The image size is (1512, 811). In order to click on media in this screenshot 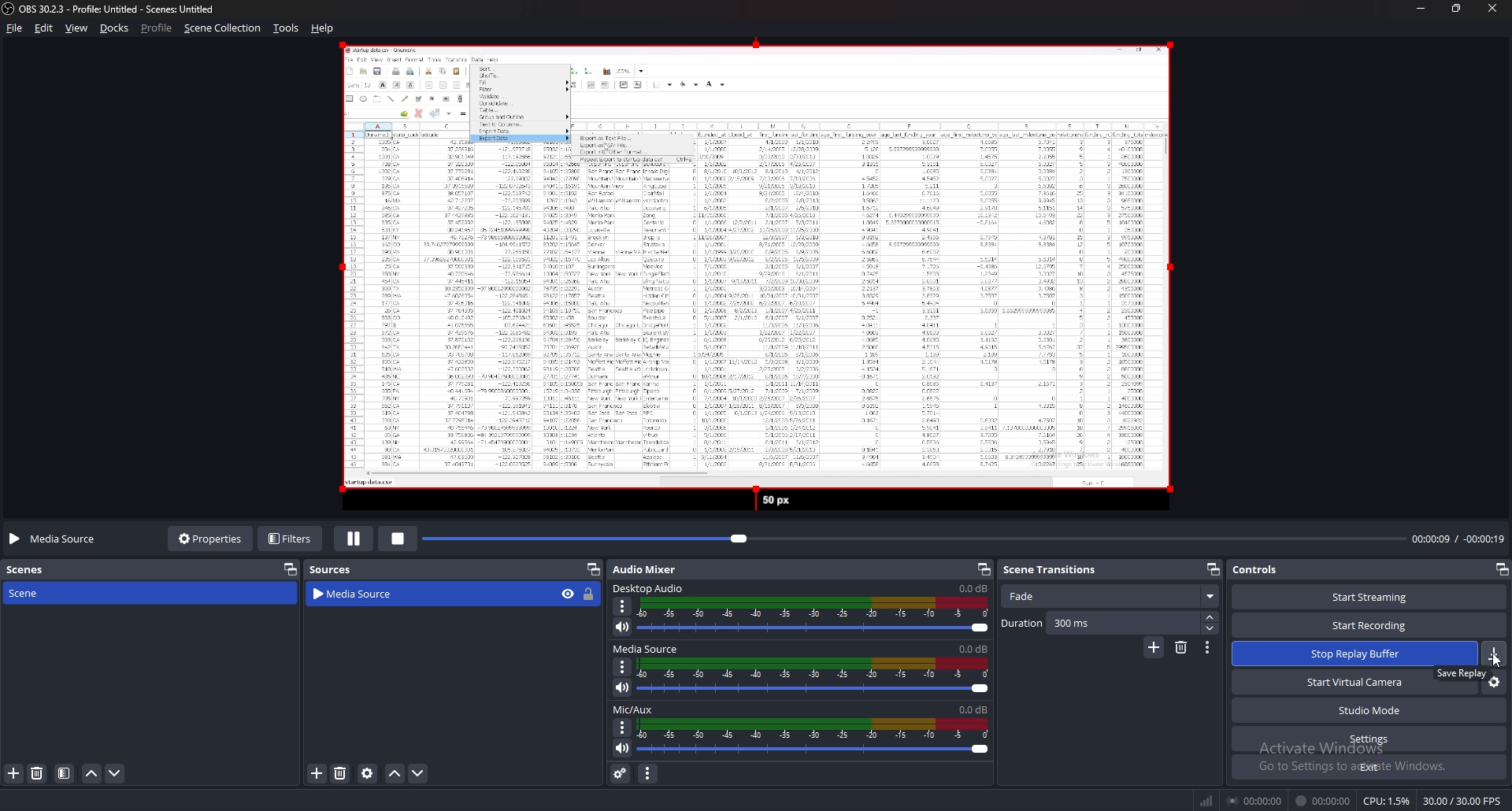, I will do `click(748, 278)`.